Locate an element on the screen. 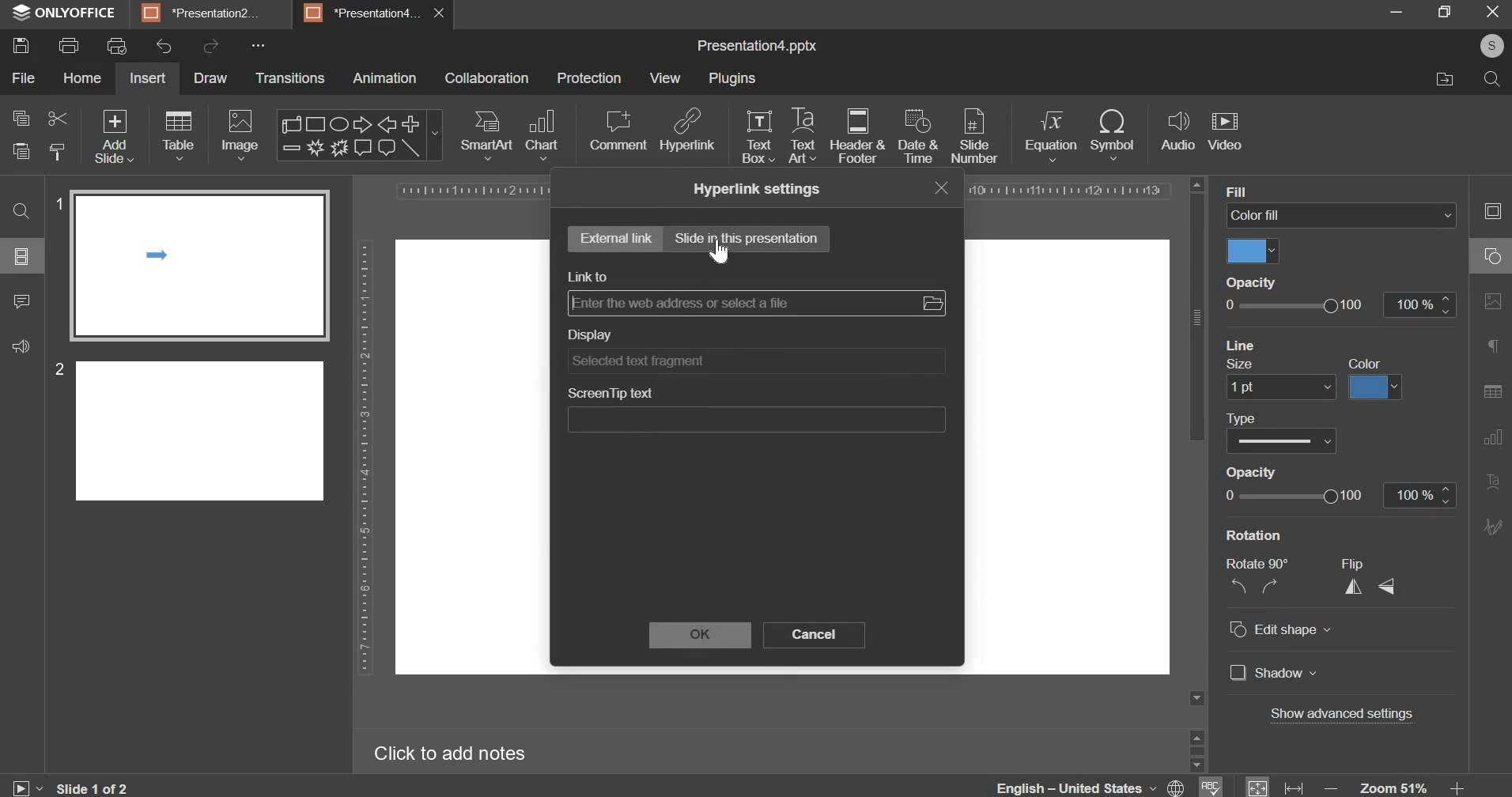  minimise is located at coordinates (1384, 12).